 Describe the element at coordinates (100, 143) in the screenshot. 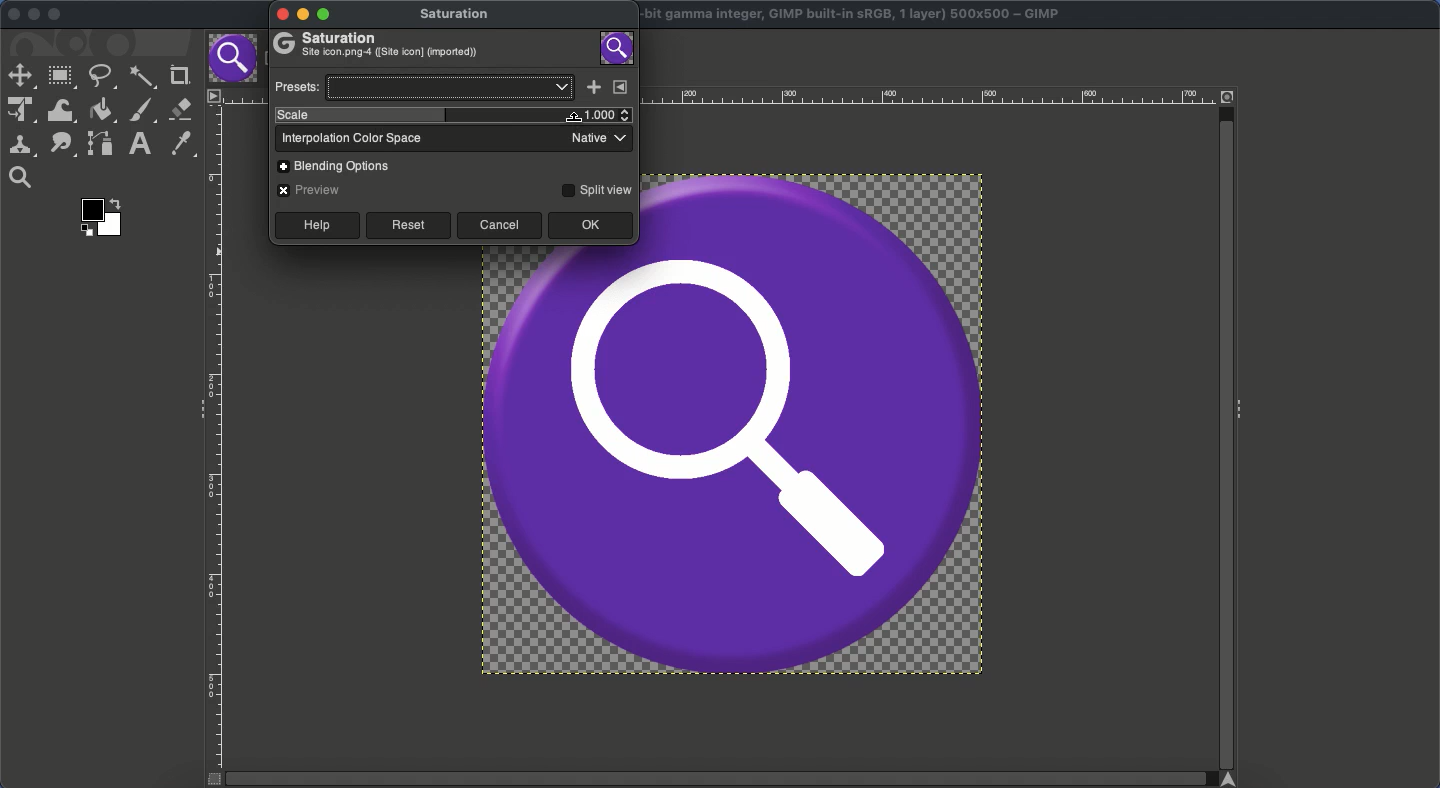

I see `Path` at that location.